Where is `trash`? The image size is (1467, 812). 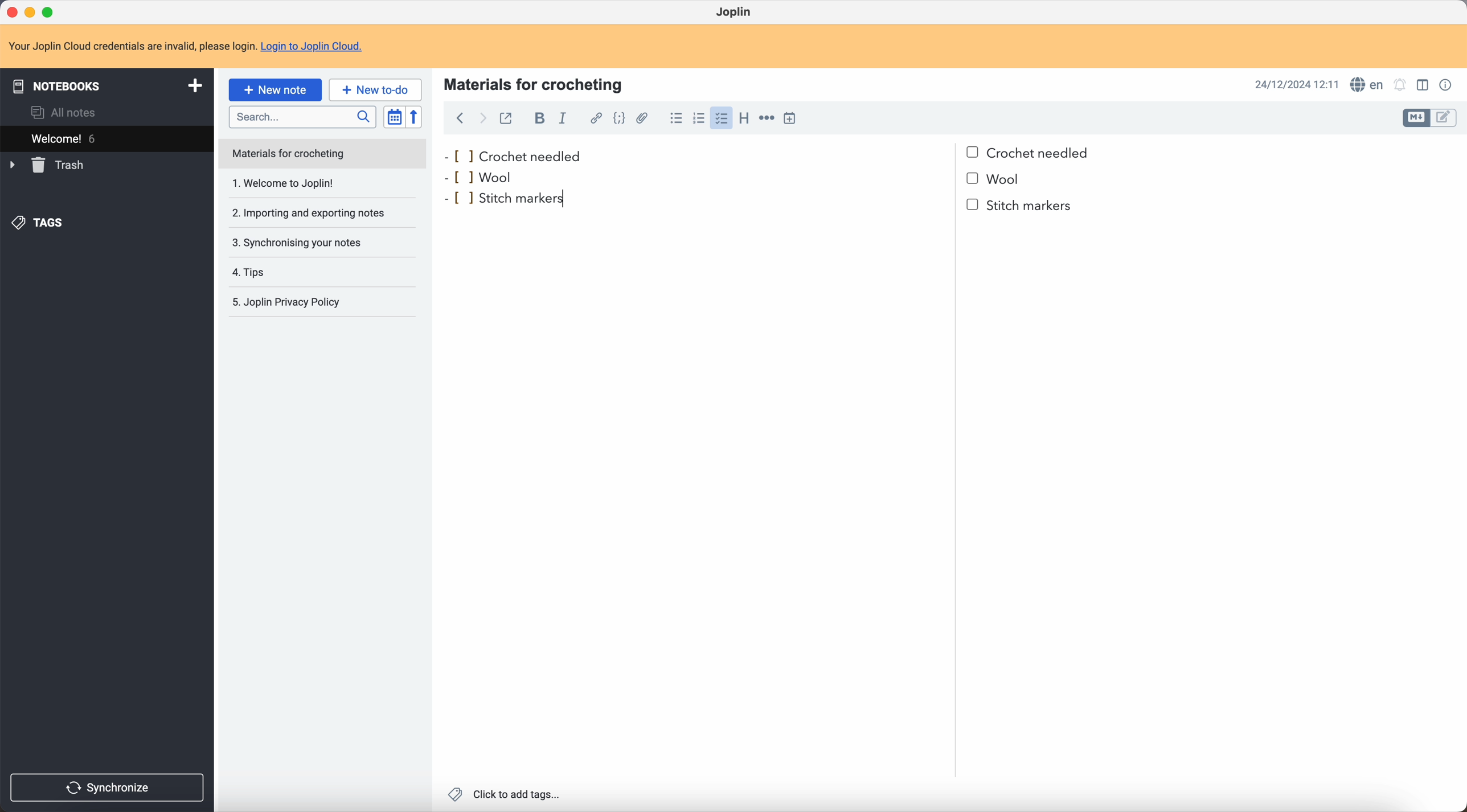
trash is located at coordinates (49, 165).